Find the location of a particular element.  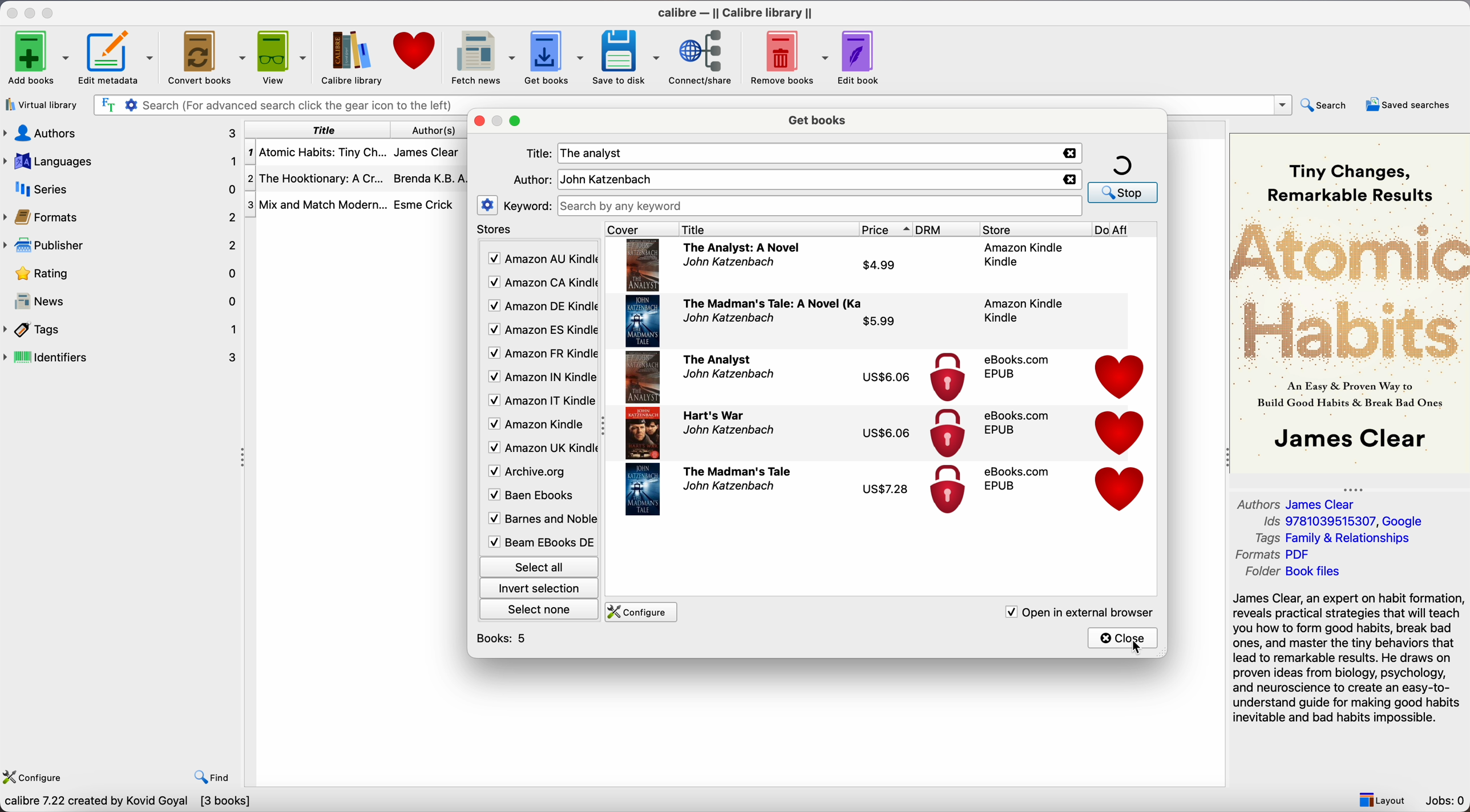

open in external browser is located at coordinates (1079, 612).